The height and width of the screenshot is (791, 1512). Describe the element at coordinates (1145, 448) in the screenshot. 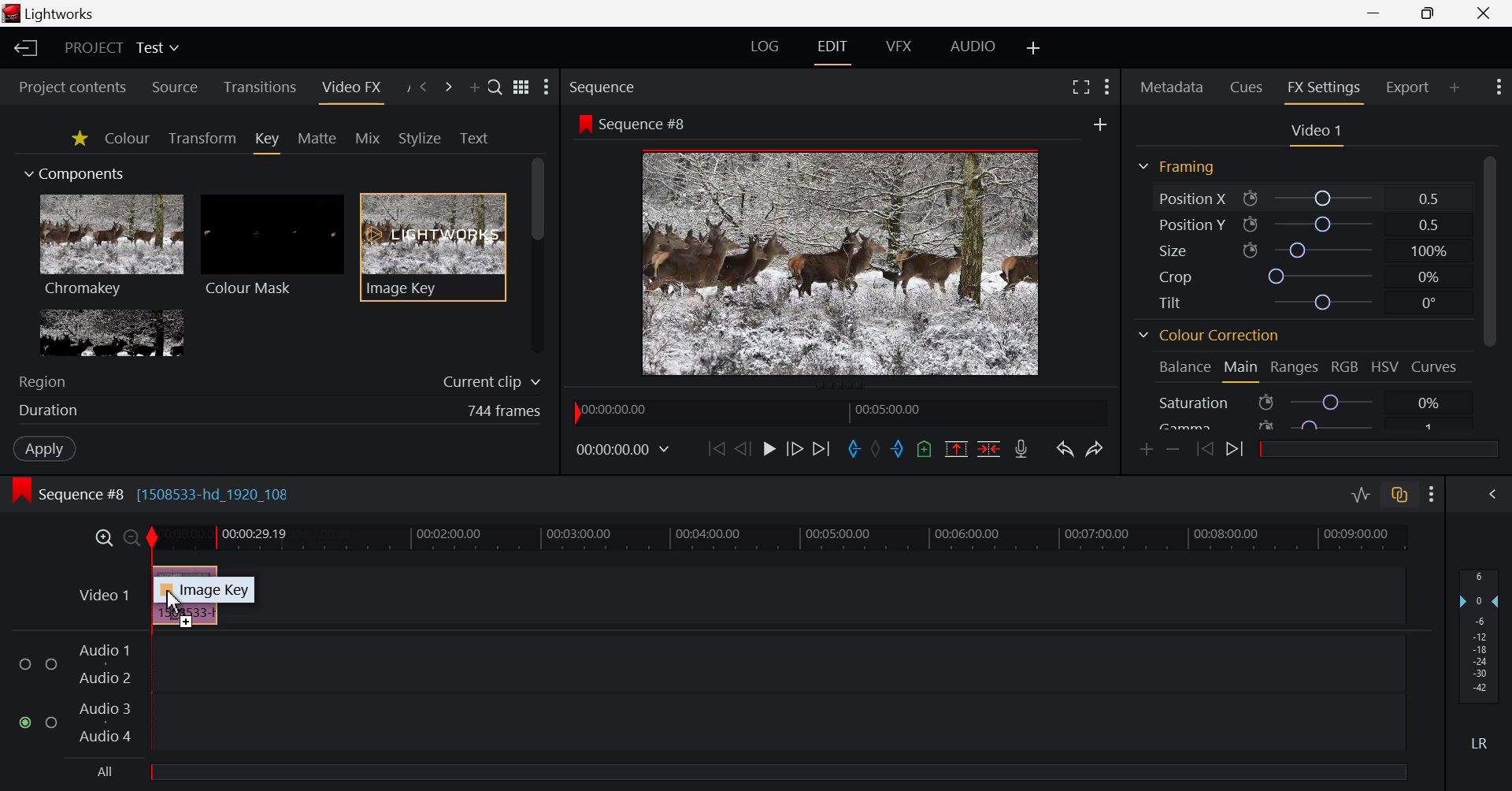

I see `Add keyframe` at that location.